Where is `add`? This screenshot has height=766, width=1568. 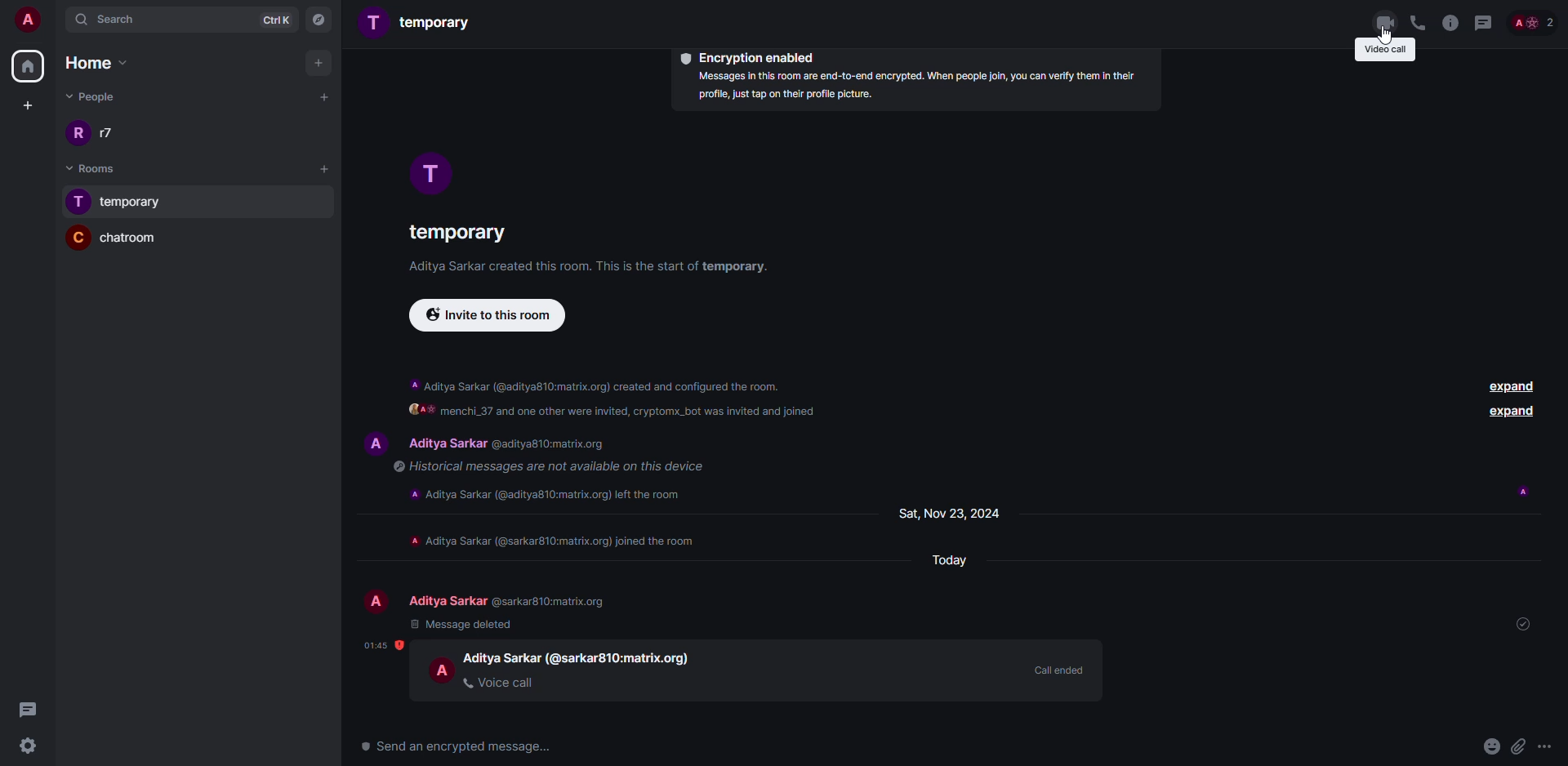 add is located at coordinates (320, 62).